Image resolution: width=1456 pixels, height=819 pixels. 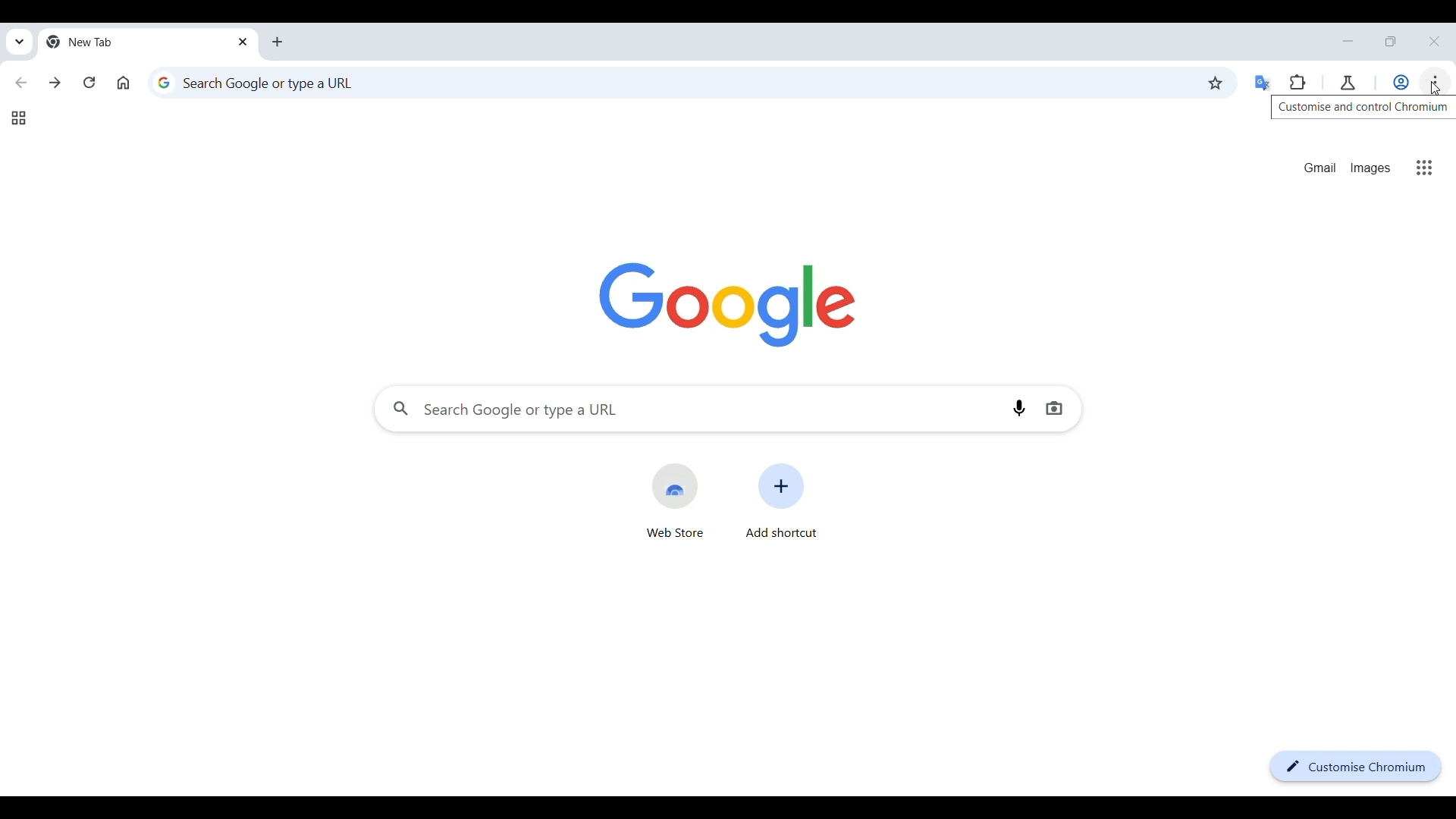 What do you see at coordinates (1389, 42) in the screenshot?
I see `Show interface in a smaller tab` at bounding box center [1389, 42].